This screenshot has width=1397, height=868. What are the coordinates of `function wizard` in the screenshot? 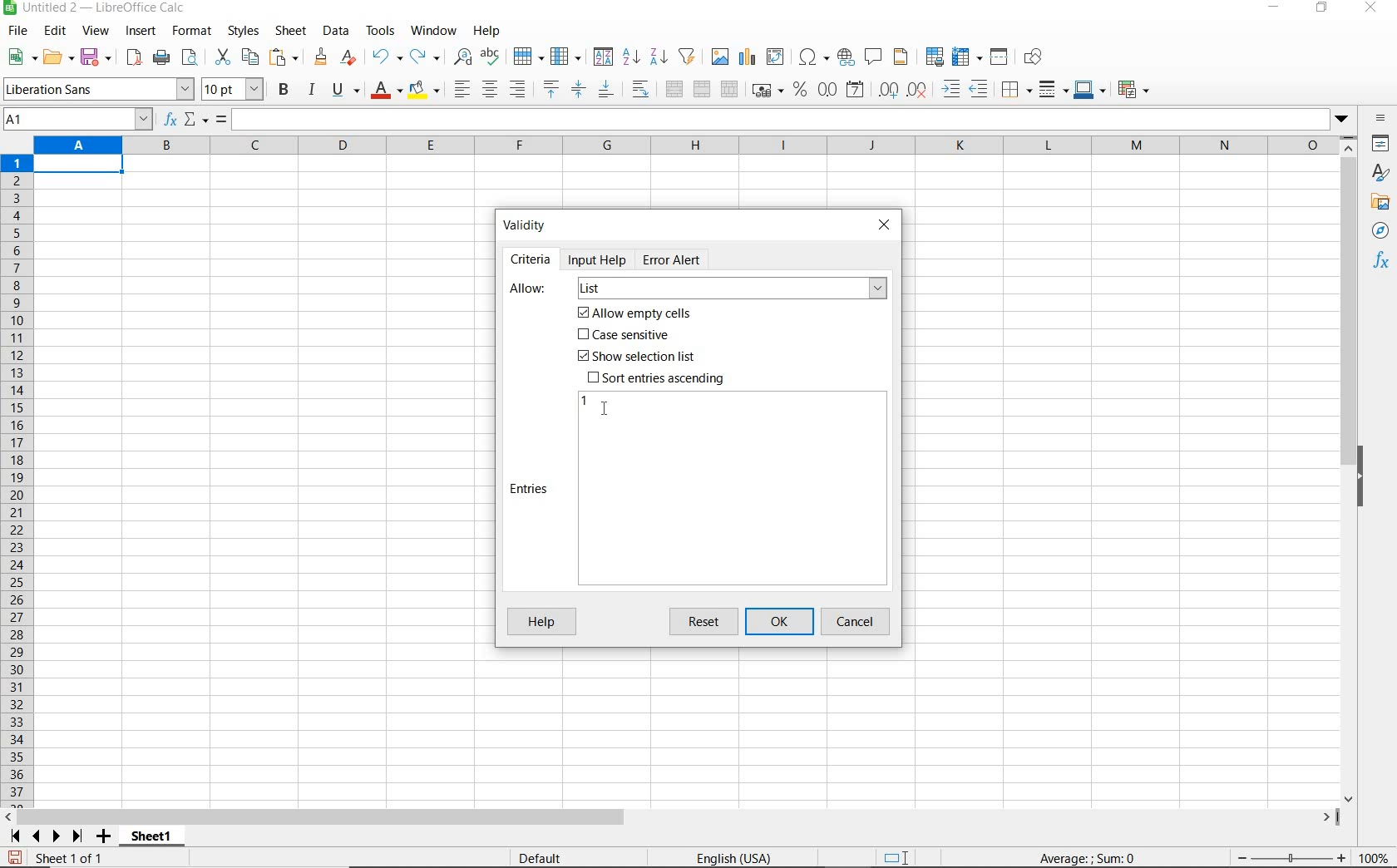 It's located at (168, 120).